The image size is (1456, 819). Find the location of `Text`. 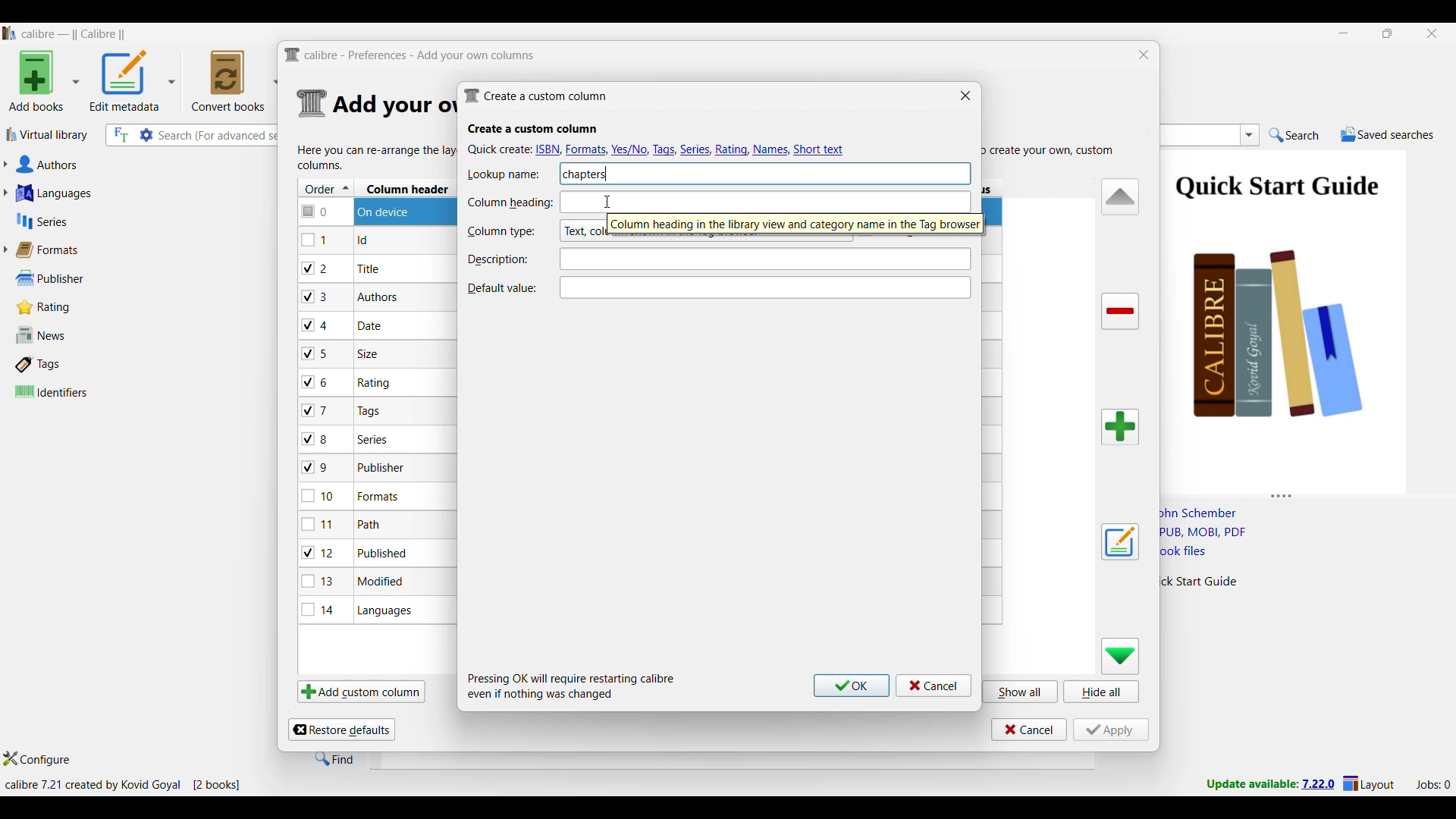

Text is located at coordinates (764, 259).